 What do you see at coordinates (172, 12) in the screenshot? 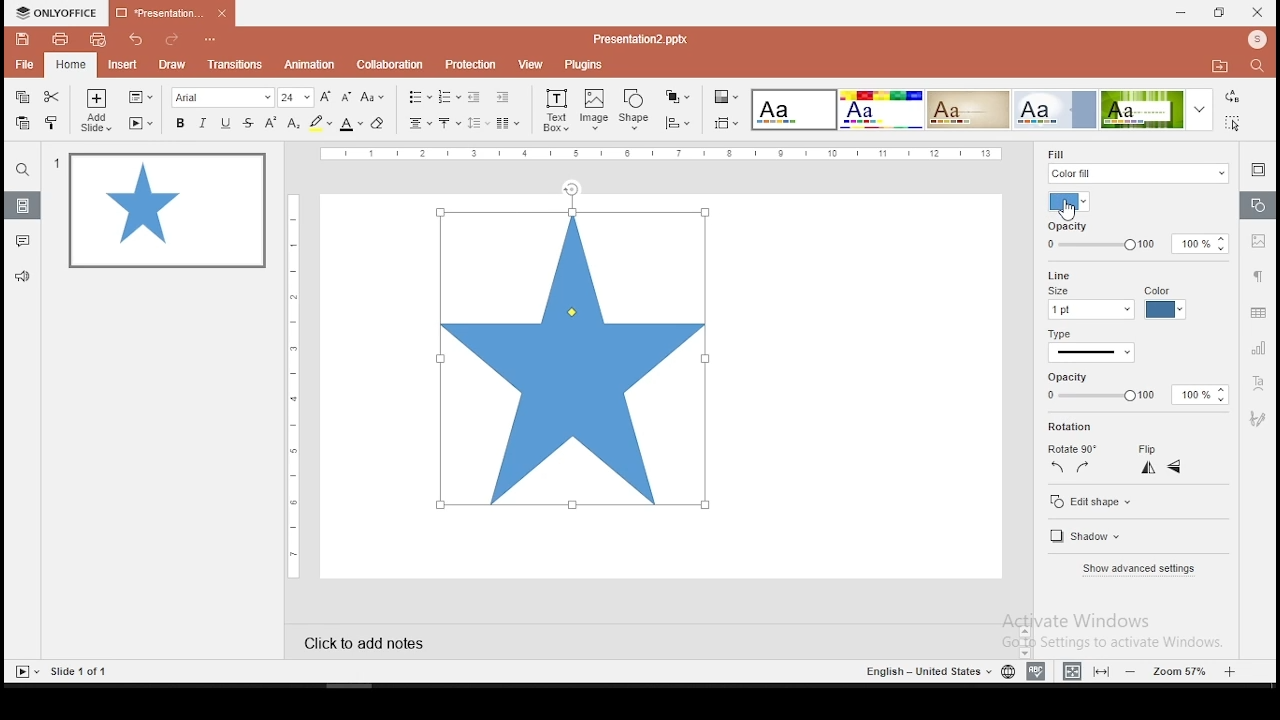
I see `presentation` at bounding box center [172, 12].